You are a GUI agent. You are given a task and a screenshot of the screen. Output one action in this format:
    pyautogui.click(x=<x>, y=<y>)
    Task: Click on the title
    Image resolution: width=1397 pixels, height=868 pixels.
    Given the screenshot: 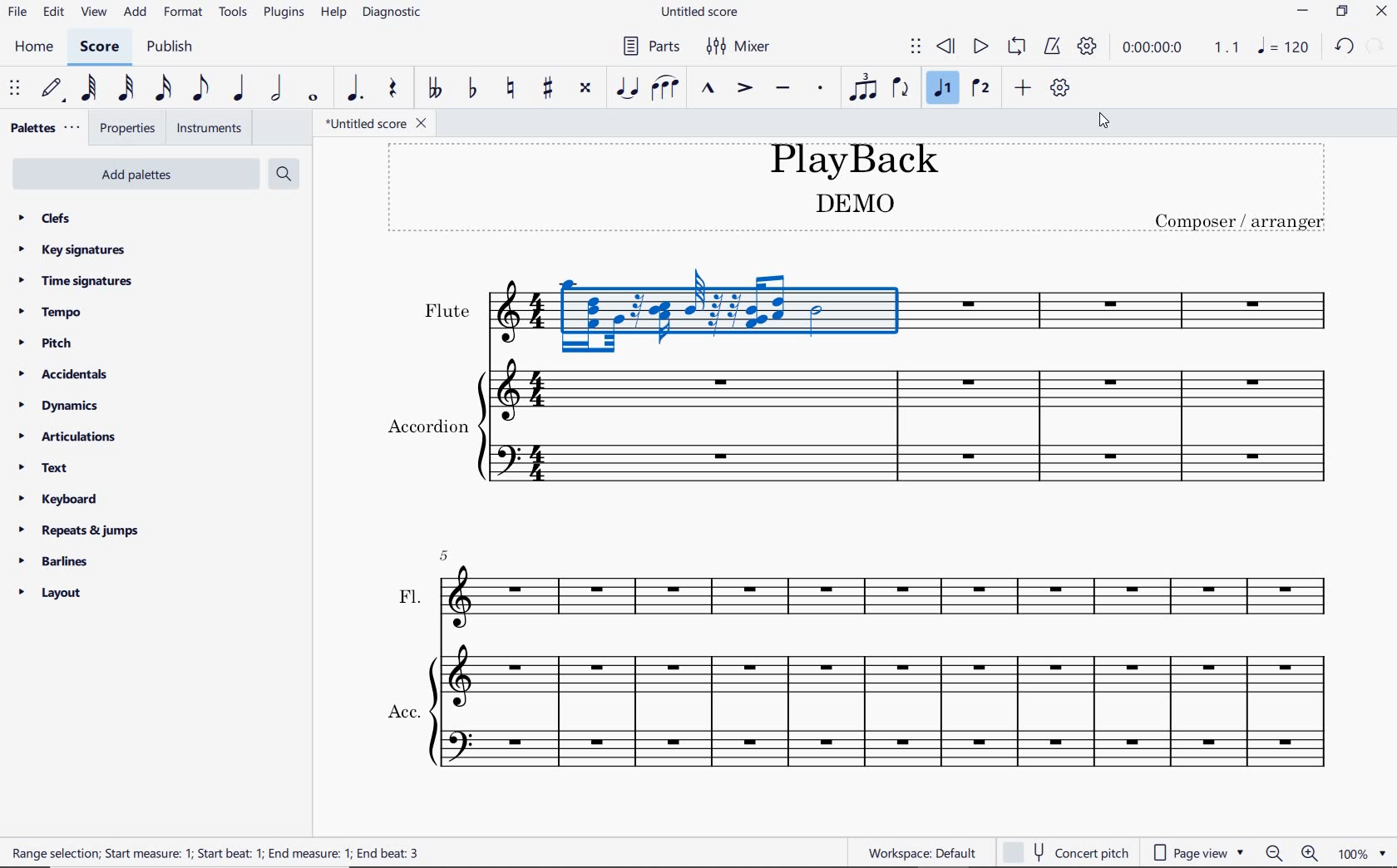 What is the action you would take?
    pyautogui.click(x=856, y=187)
    